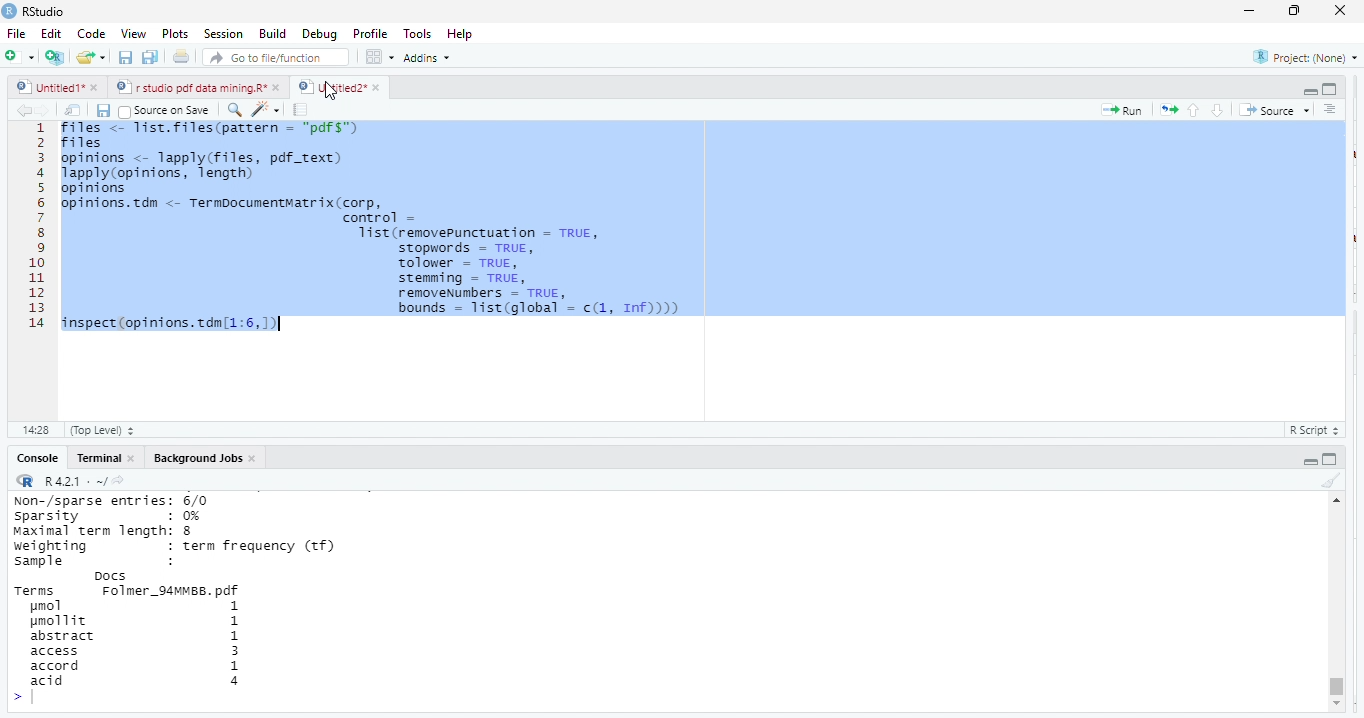  I want to click on non -/sparse entries: 6/0 sparsity i 0%vaximal term length: 8weighting : term frequency (tf)sample :DocsTerms, Folmer_94muss. pdfpmol 1pmol lit 1abstract 1access 3accord 1edd o, so click(201, 603).